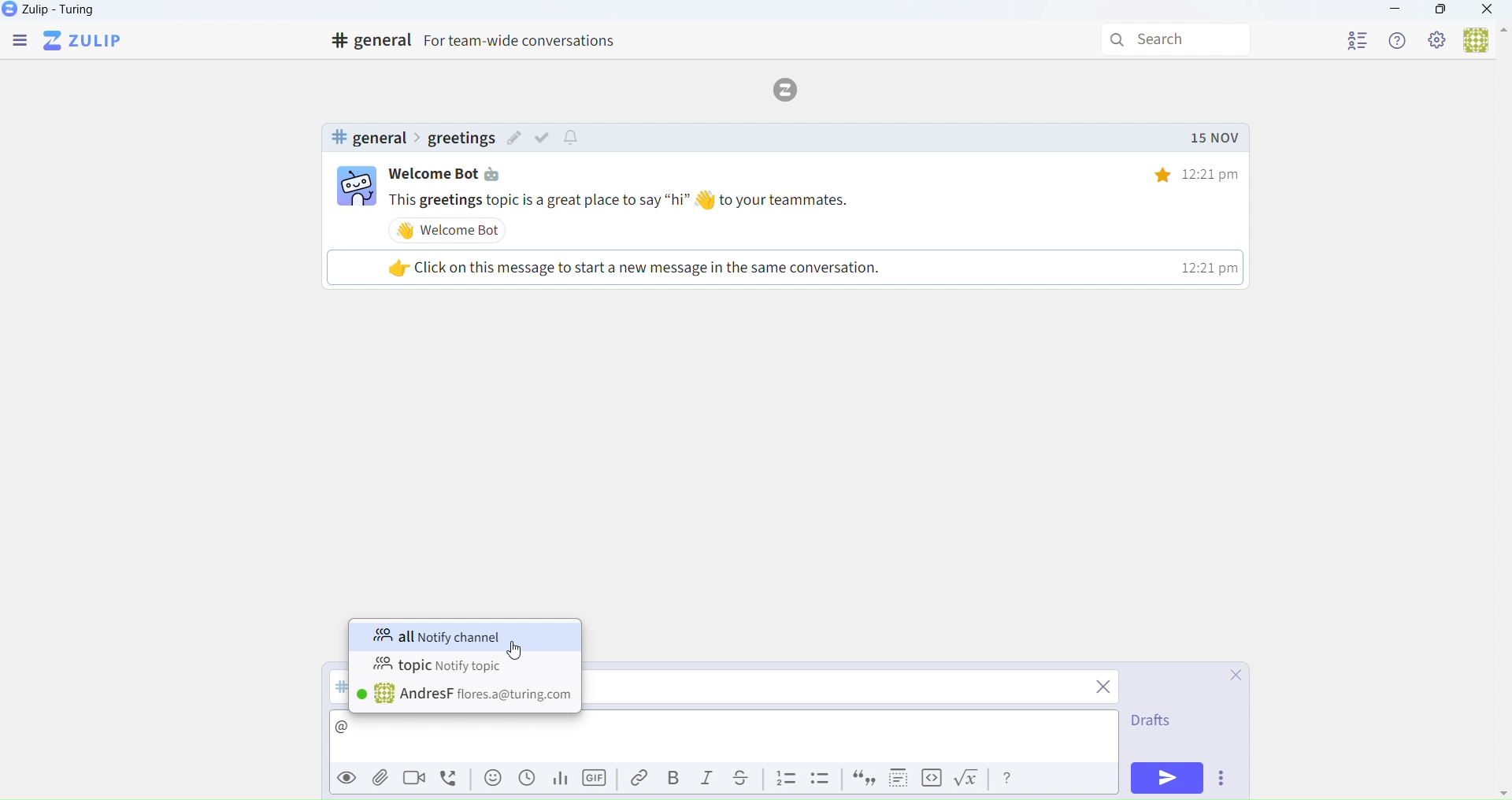  I want to click on image, so click(357, 188).